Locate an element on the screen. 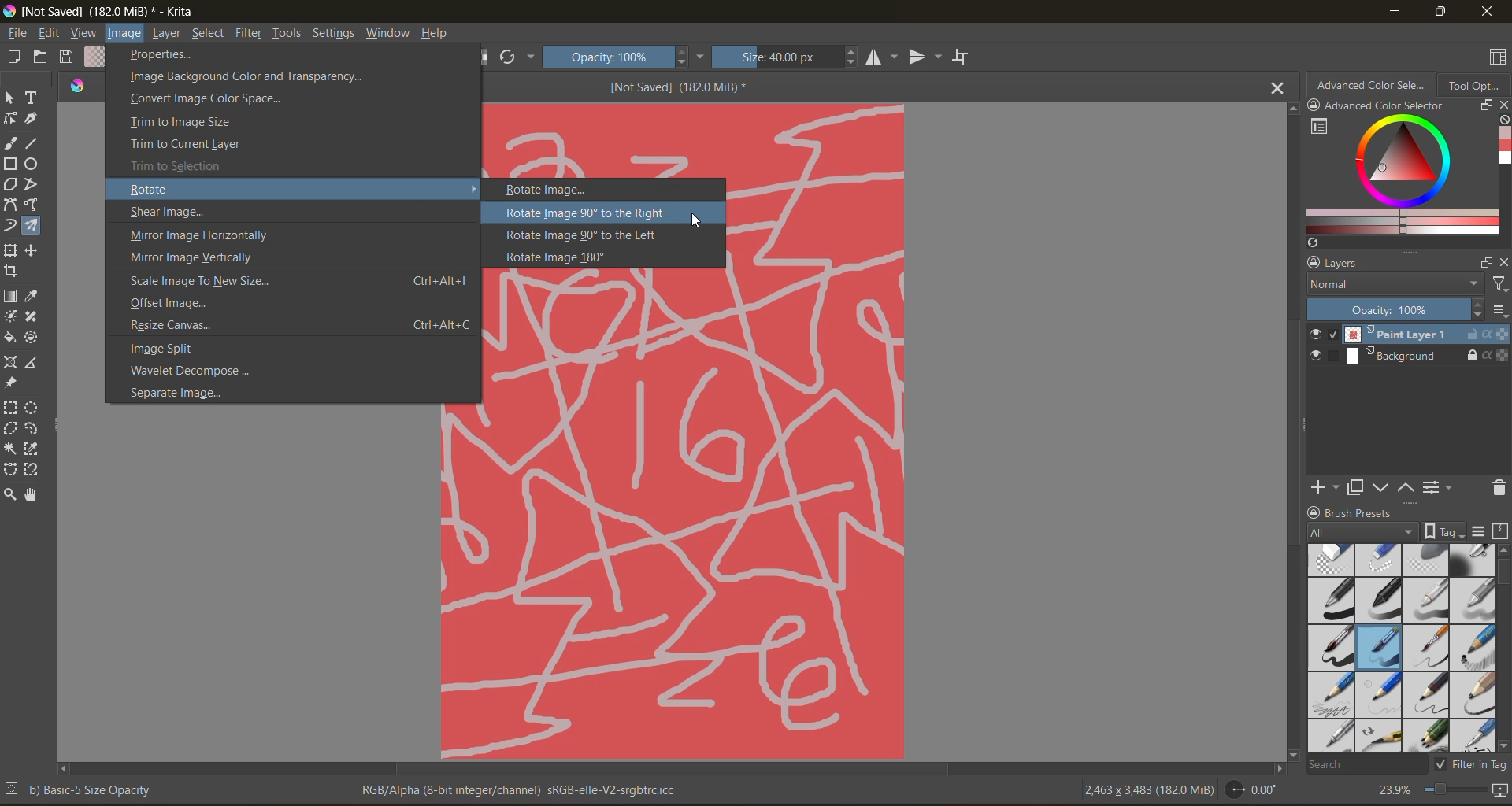  search is located at coordinates (1356, 764).